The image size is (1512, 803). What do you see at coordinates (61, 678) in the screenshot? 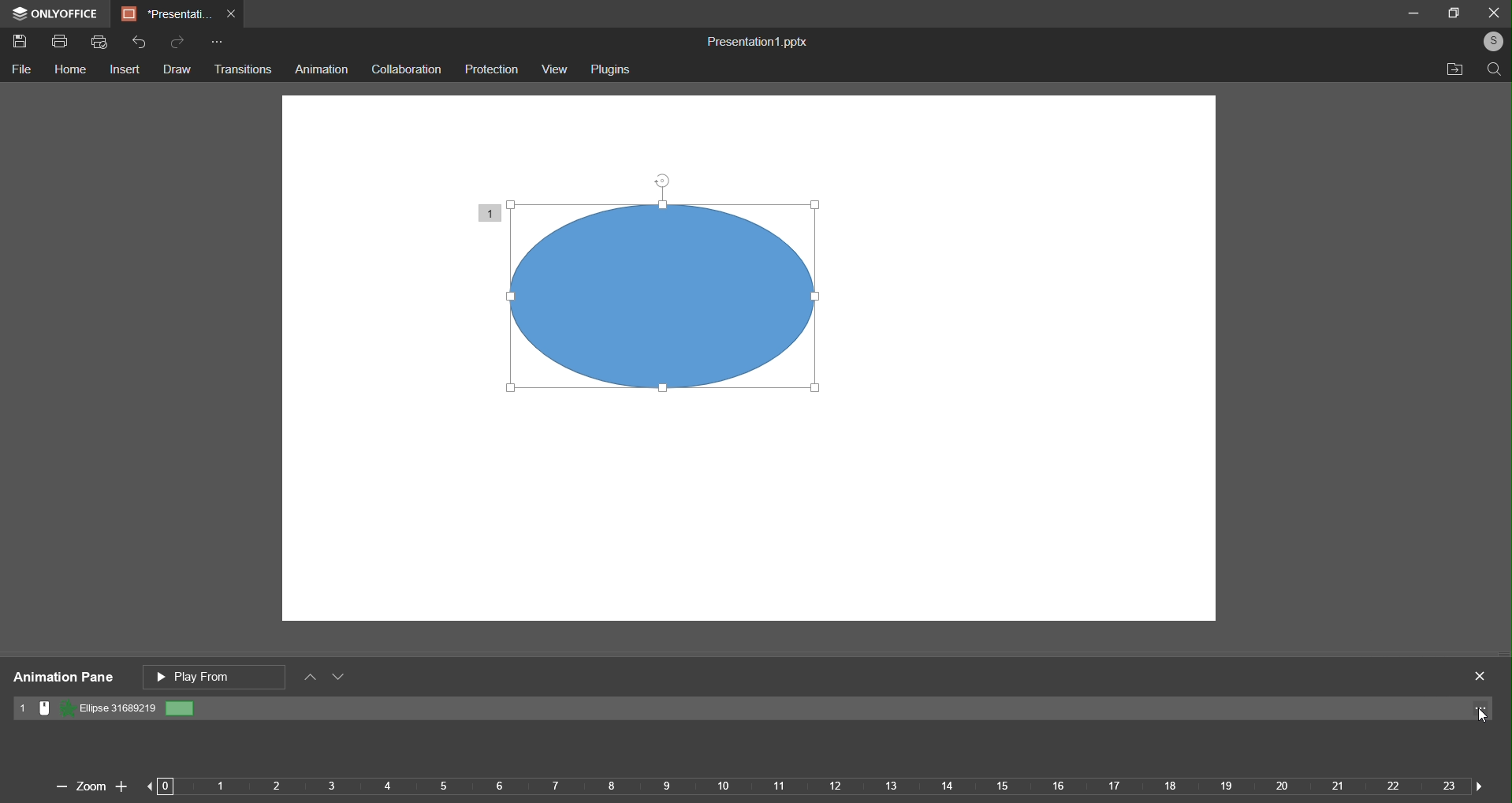
I see `animation pane` at bounding box center [61, 678].